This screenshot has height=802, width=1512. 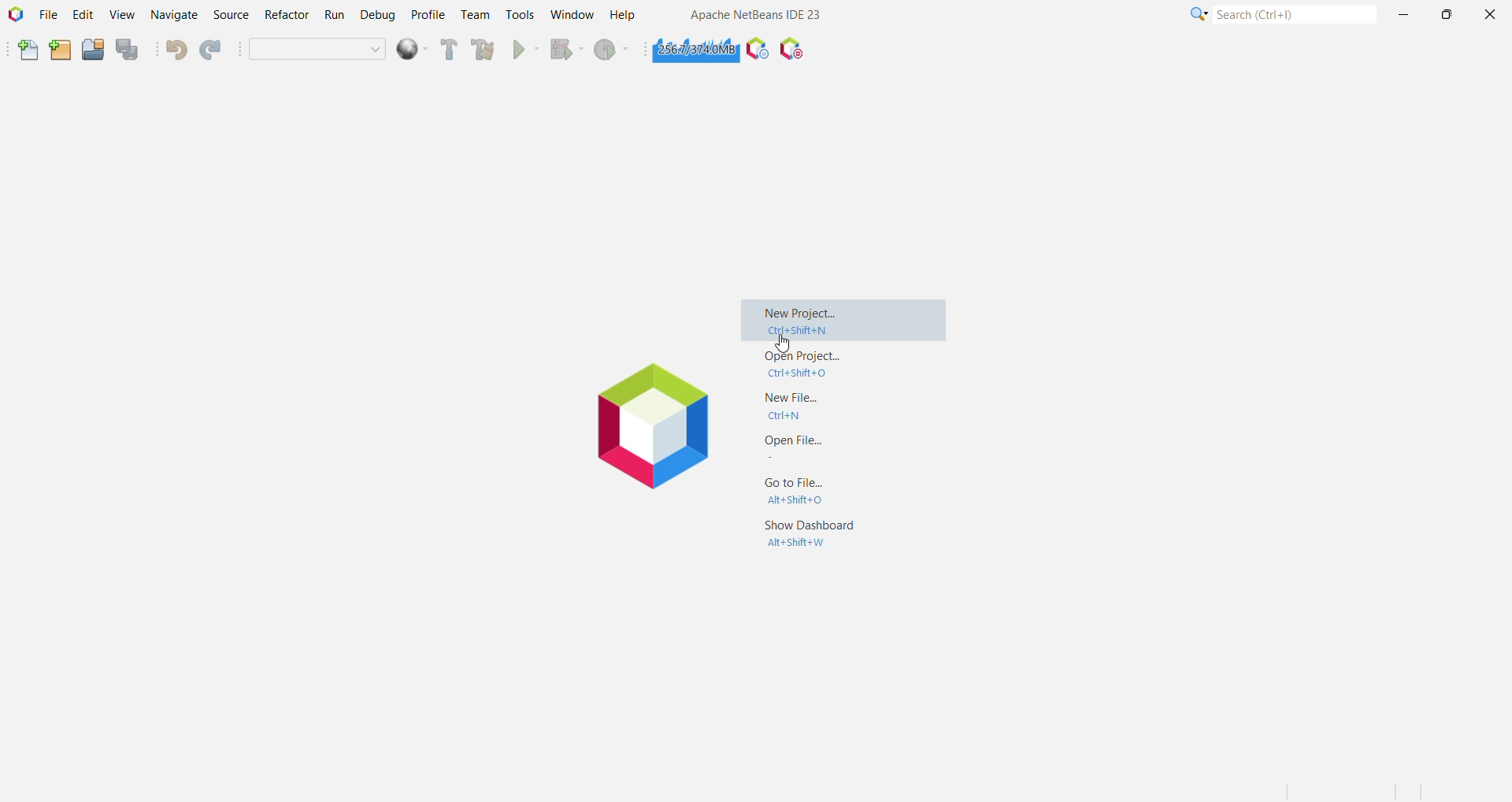 What do you see at coordinates (1448, 15) in the screenshot?
I see `Maximize` at bounding box center [1448, 15].